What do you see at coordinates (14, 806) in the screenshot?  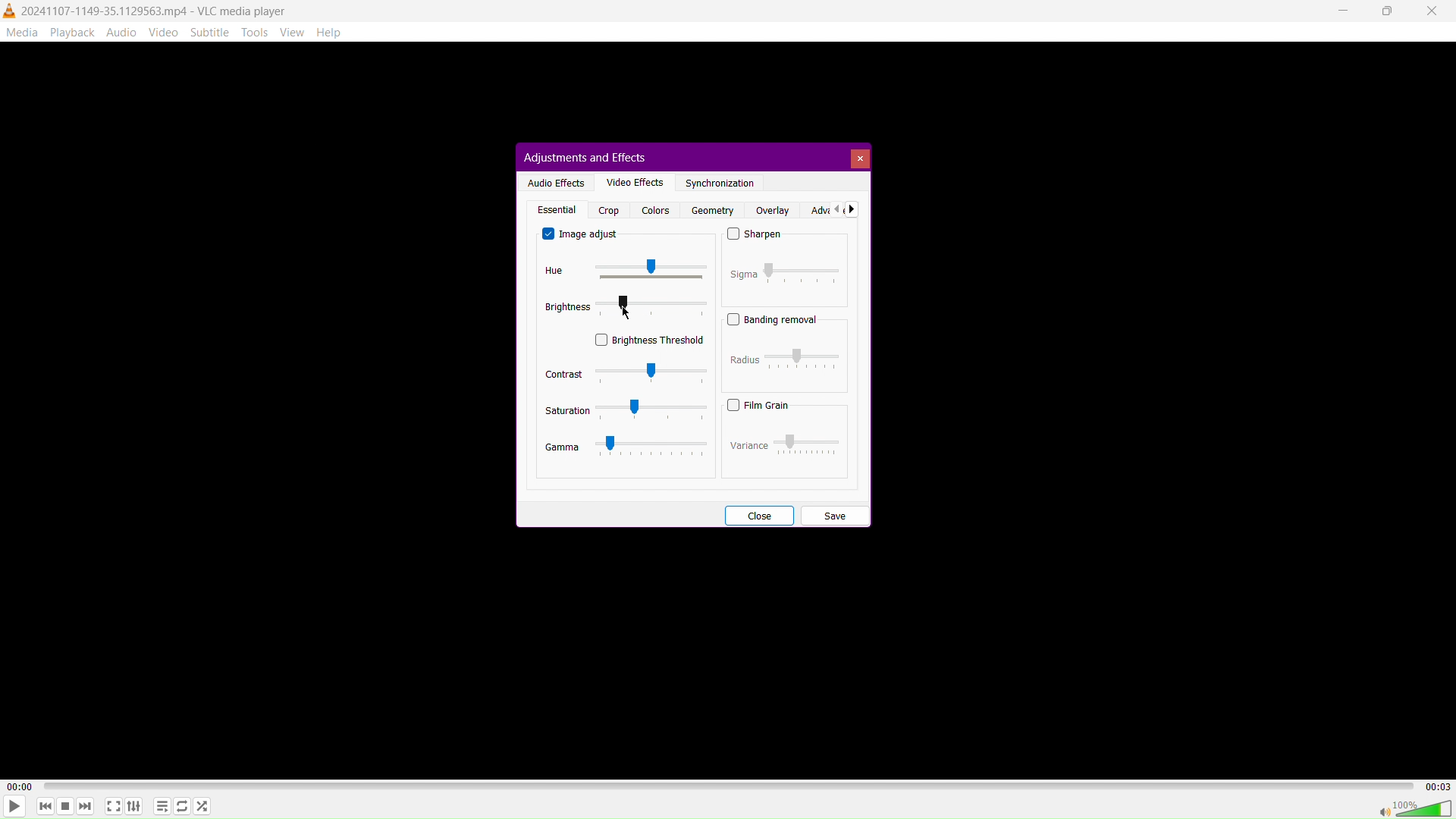 I see `Play` at bounding box center [14, 806].